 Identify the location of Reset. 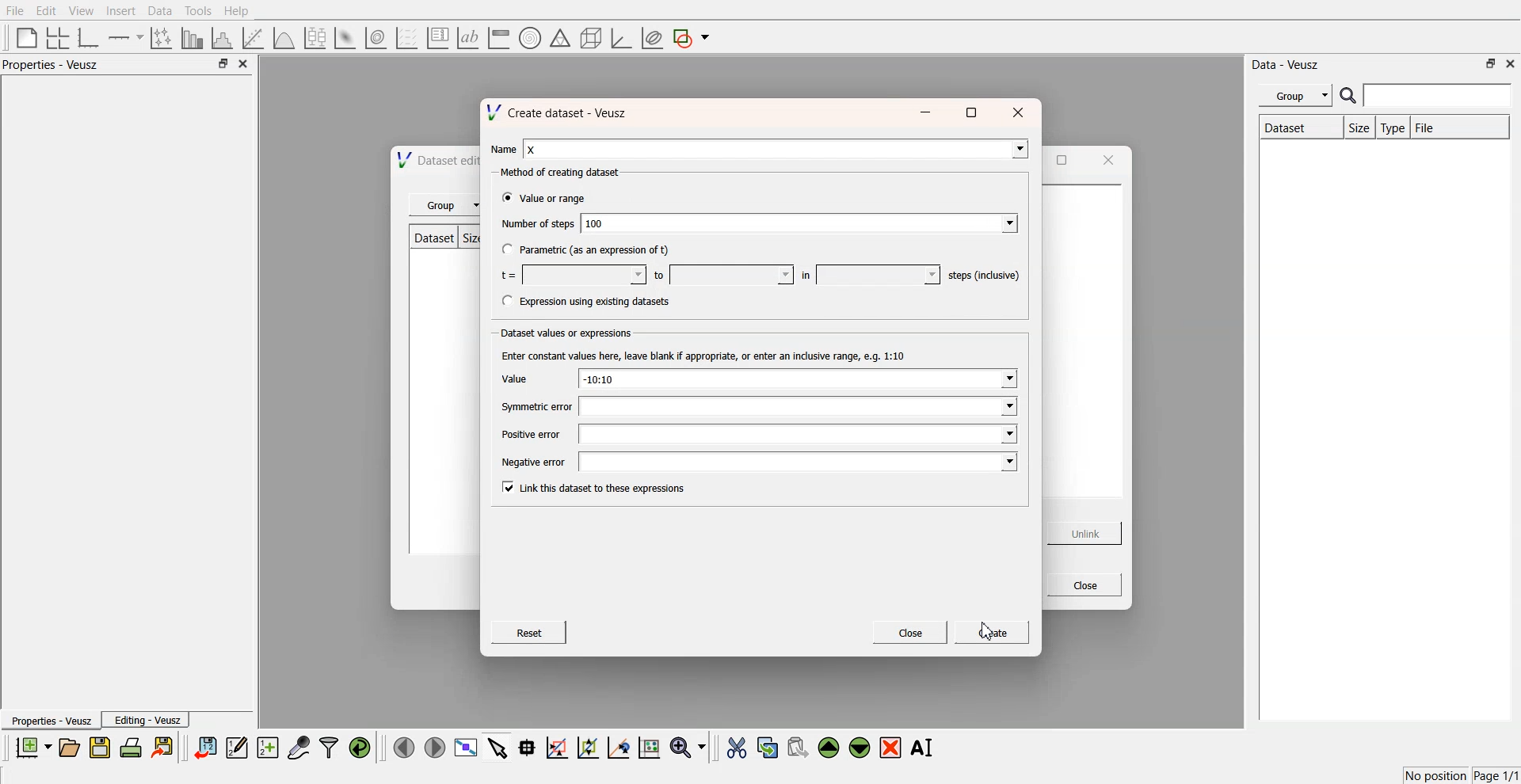
(530, 632).